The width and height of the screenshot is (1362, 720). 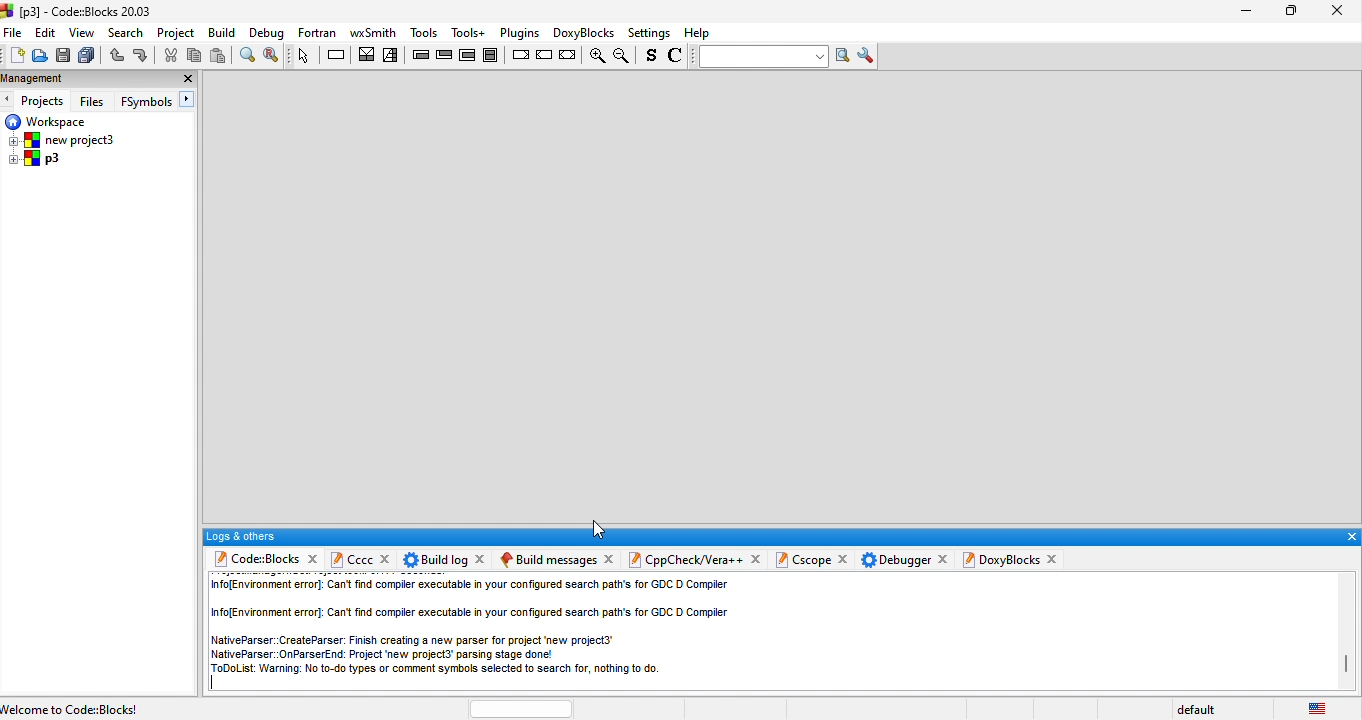 I want to click on find, so click(x=246, y=55).